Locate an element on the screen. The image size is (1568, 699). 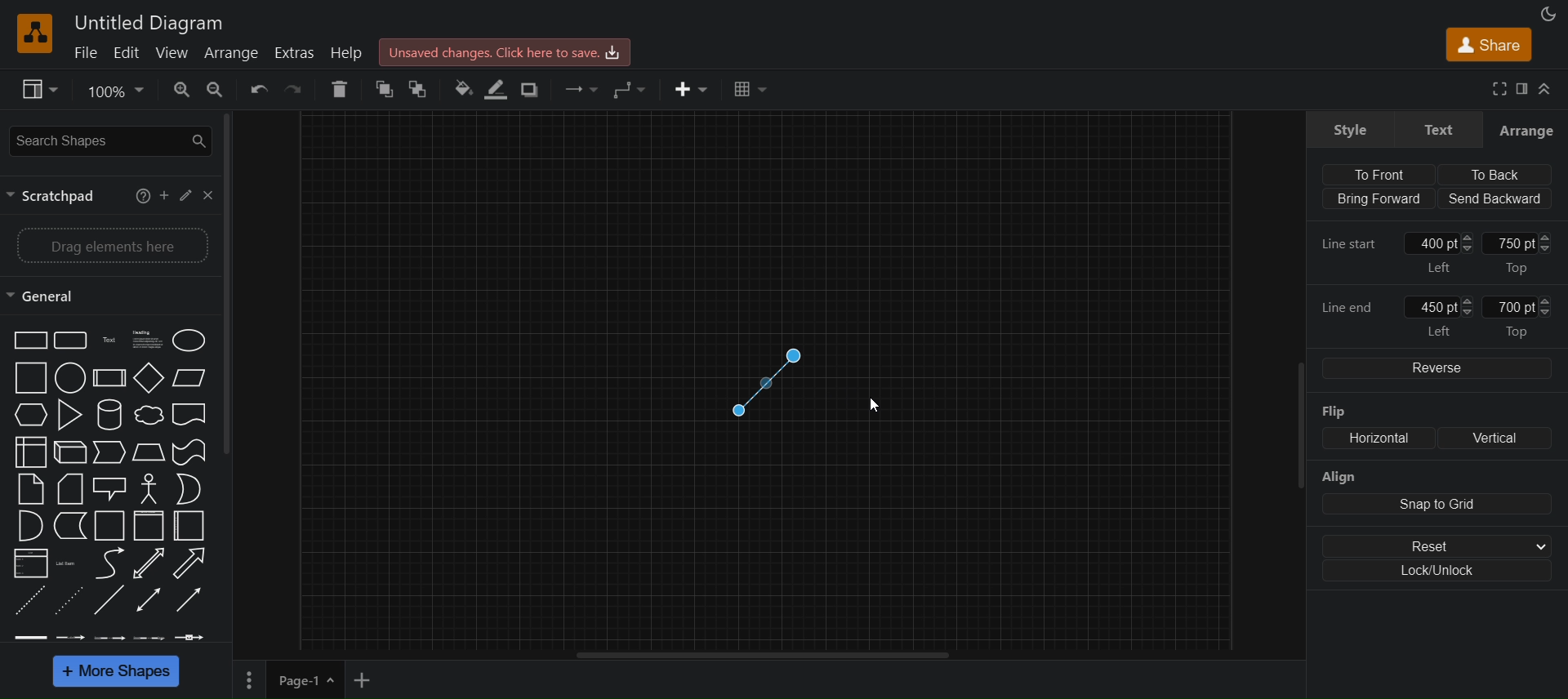
share is located at coordinates (1490, 47).